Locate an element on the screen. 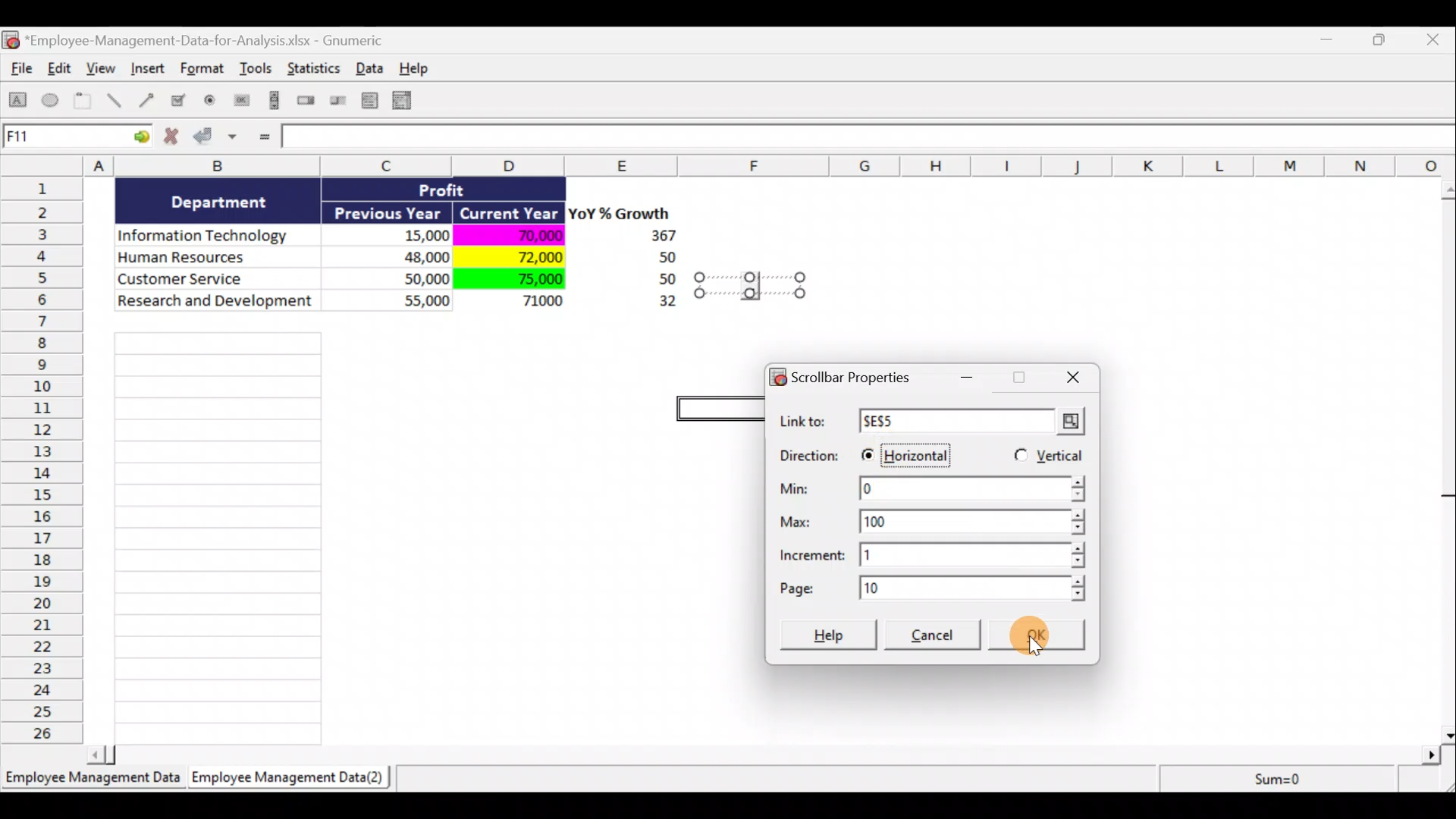  Insert is located at coordinates (147, 71).